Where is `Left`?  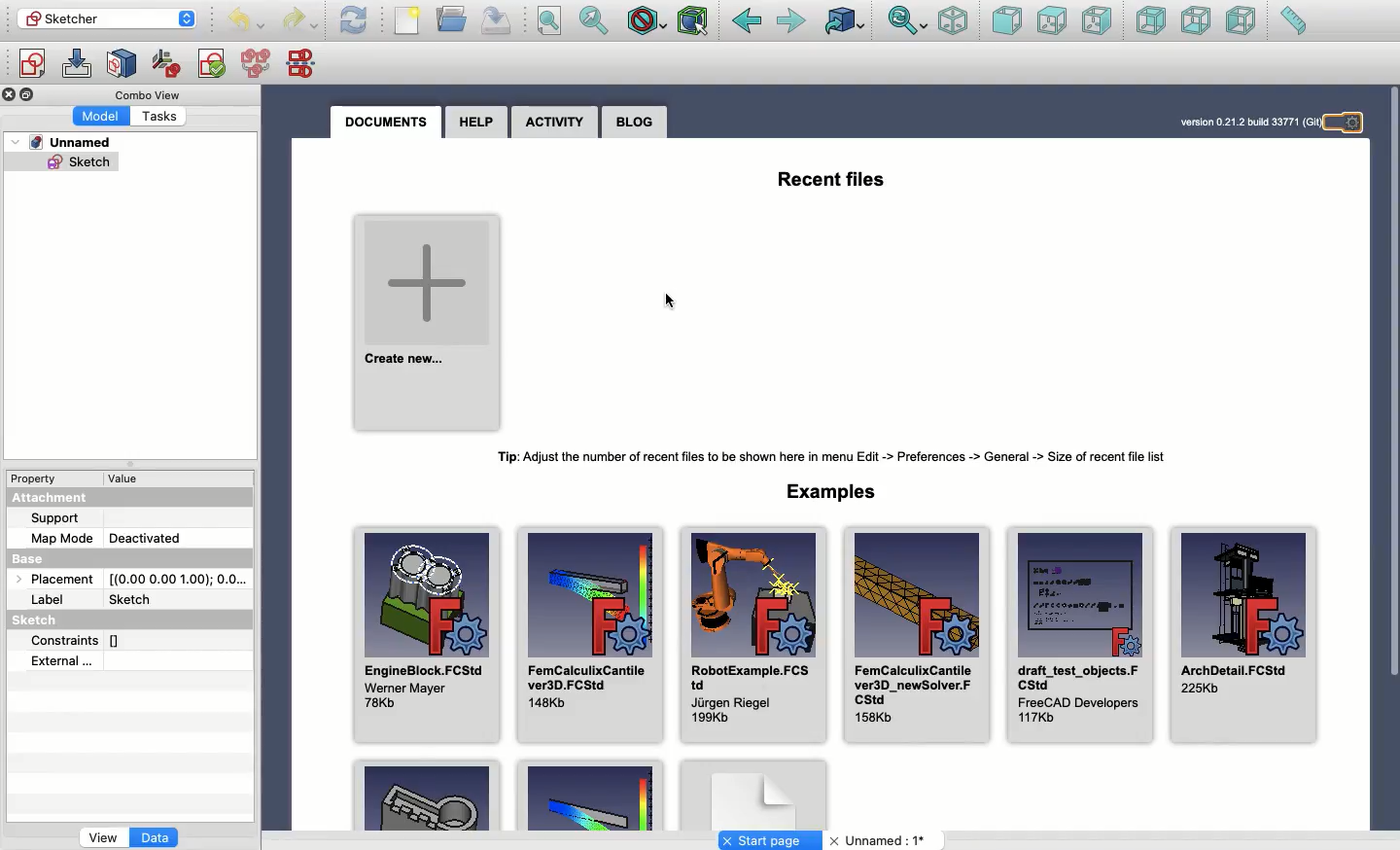 Left is located at coordinates (1242, 23).